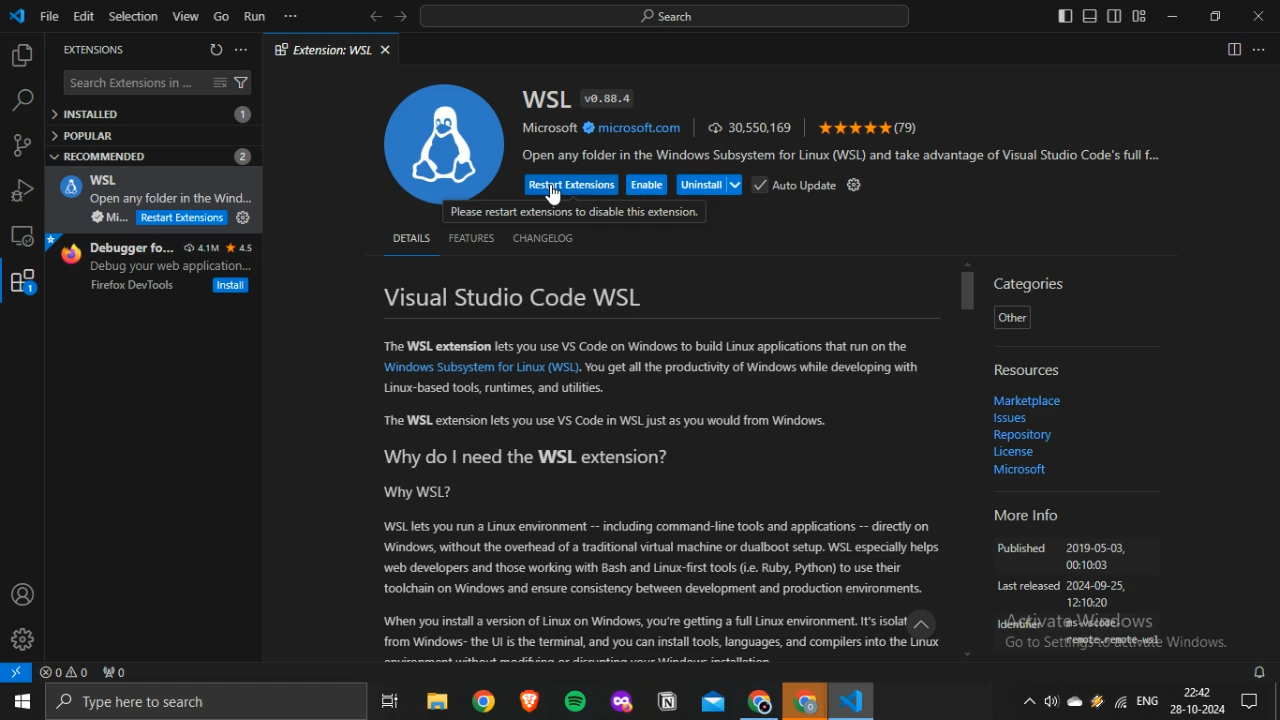 The image size is (1280, 720). What do you see at coordinates (803, 700) in the screenshot?
I see `Google Chrome` at bounding box center [803, 700].